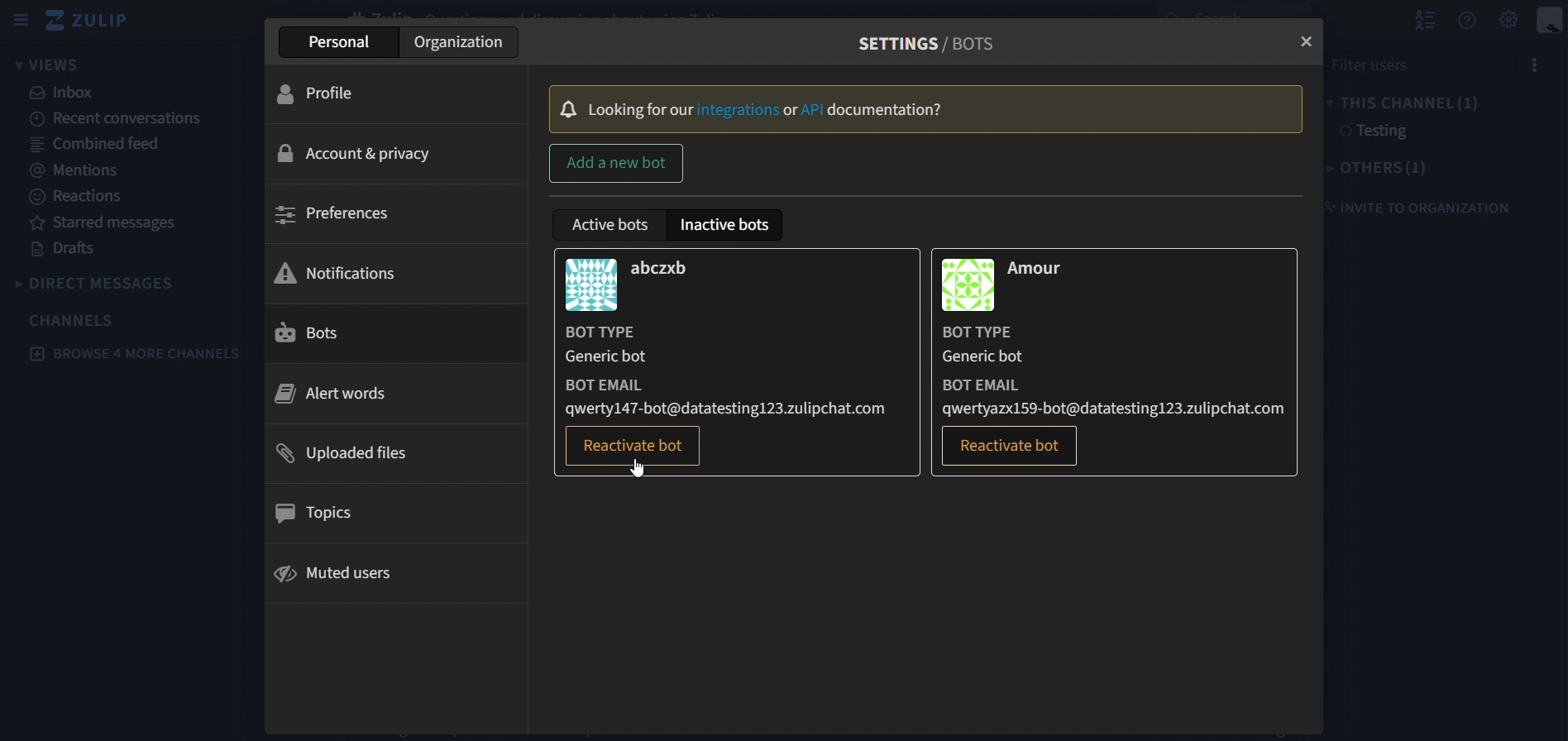 The height and width of the screenshot is (741, 1568). Describe the element at coordinates (1048, 268) in the screenshot. I see `Amour` at that location.